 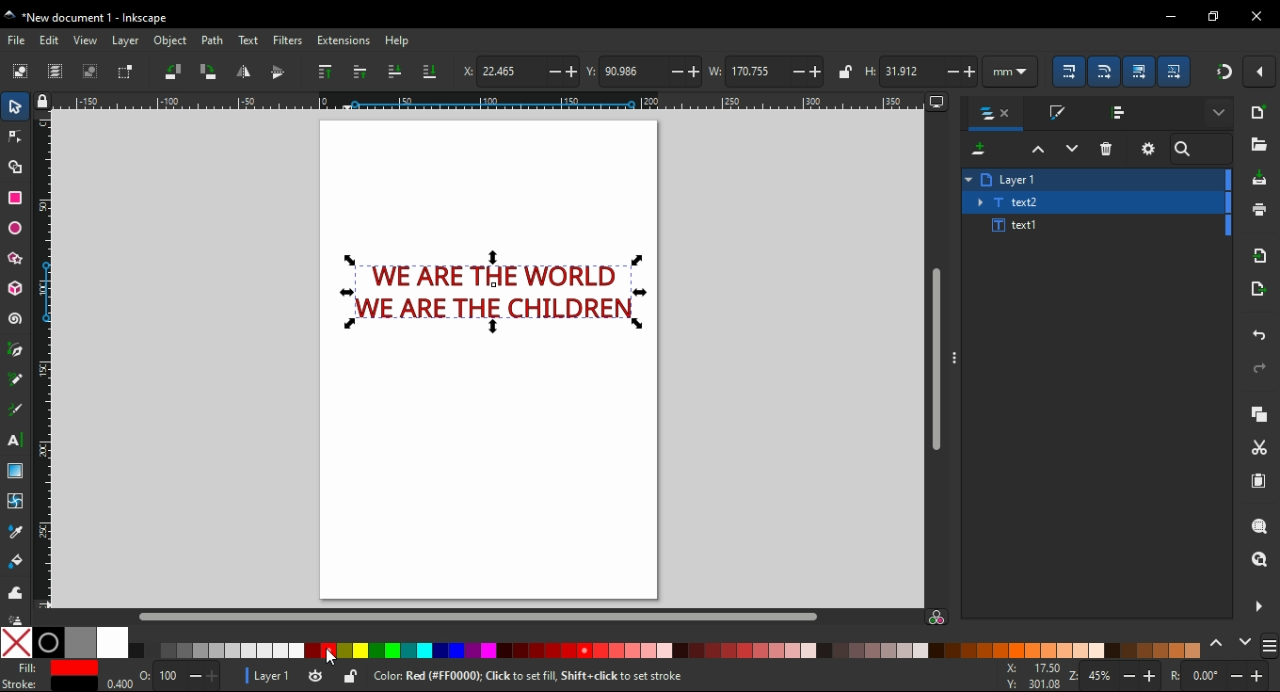 What do you see at coordinates (1258, 526) in the screenshot?
I see `zoom object` at bounding box center [1258, 526].